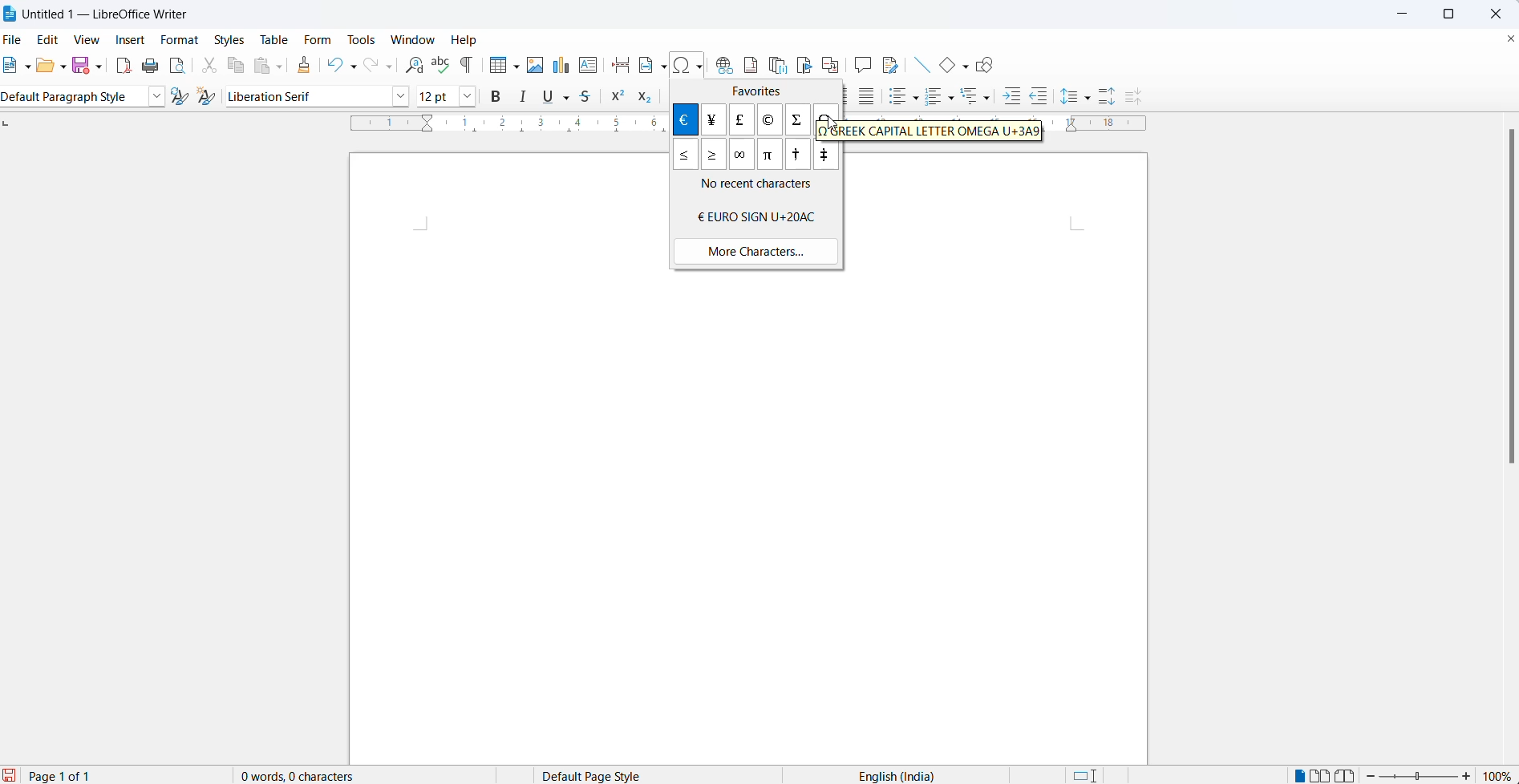 The image size is (1519, 784). I want to click on font size options, so click(468, 96).